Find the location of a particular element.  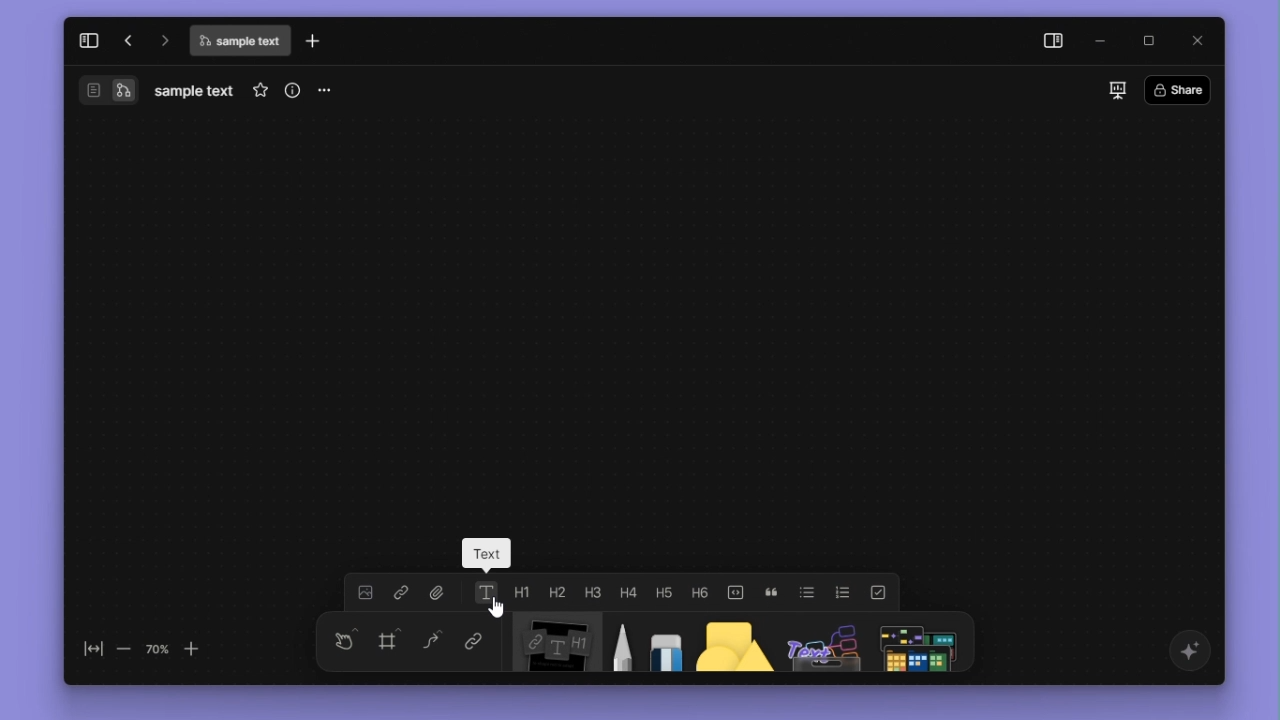

shape is located at coordinates (726, 644).